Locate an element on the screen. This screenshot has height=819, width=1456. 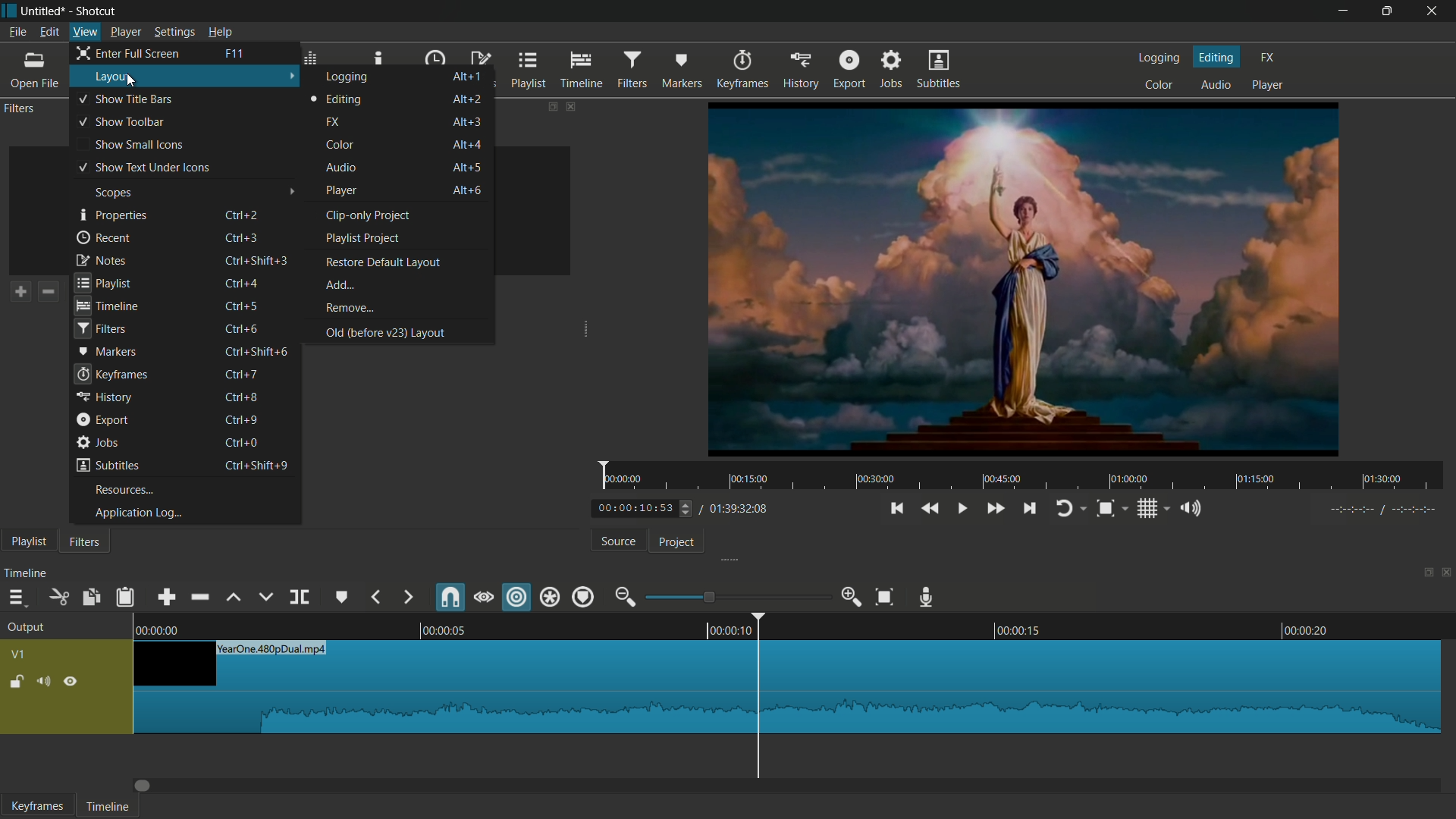
keyboard shortcut is located at coordinates (233, 53).